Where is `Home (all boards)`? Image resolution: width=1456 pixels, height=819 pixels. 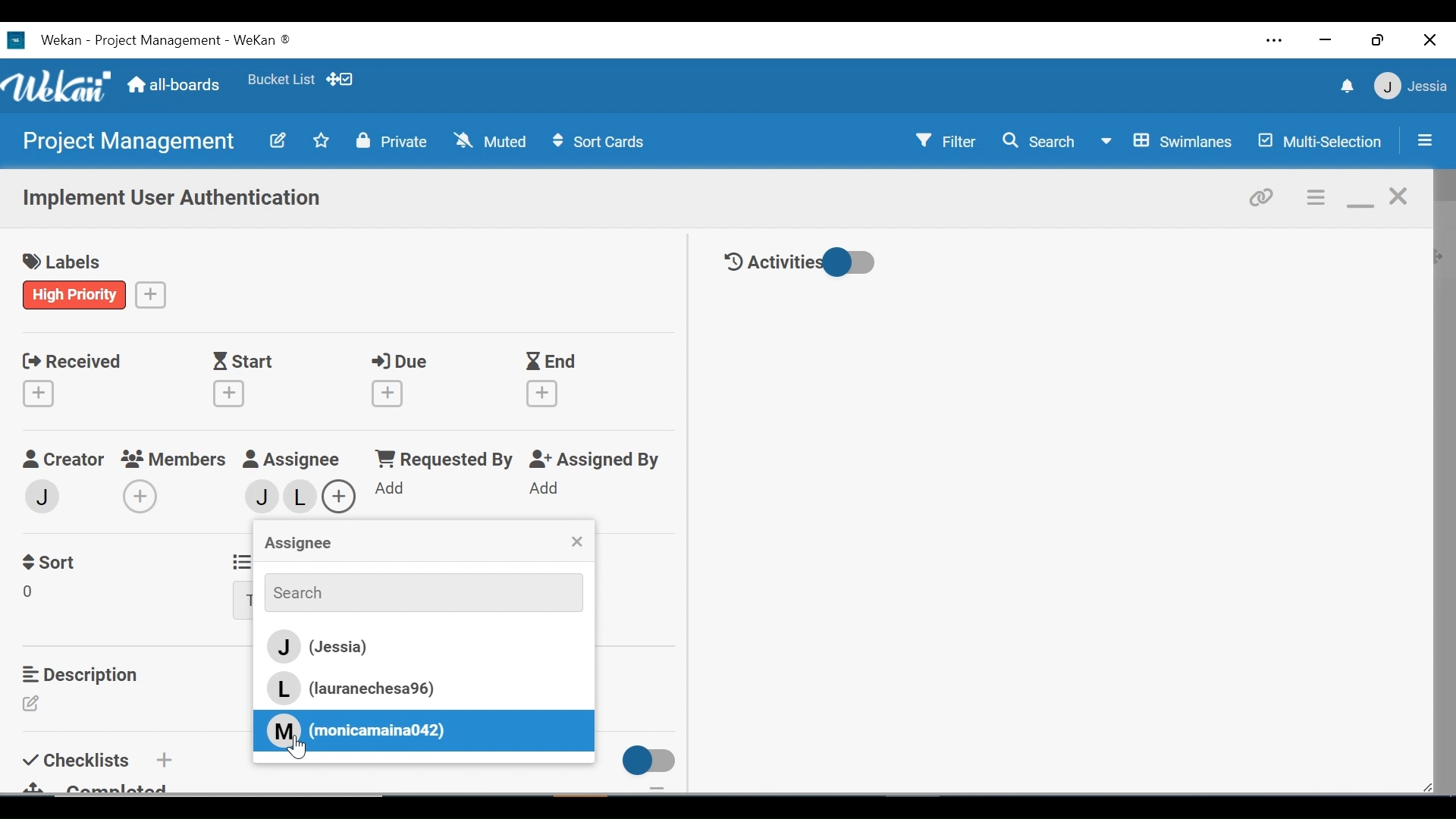 Home (all boards) is located at coordinates (174, 86).